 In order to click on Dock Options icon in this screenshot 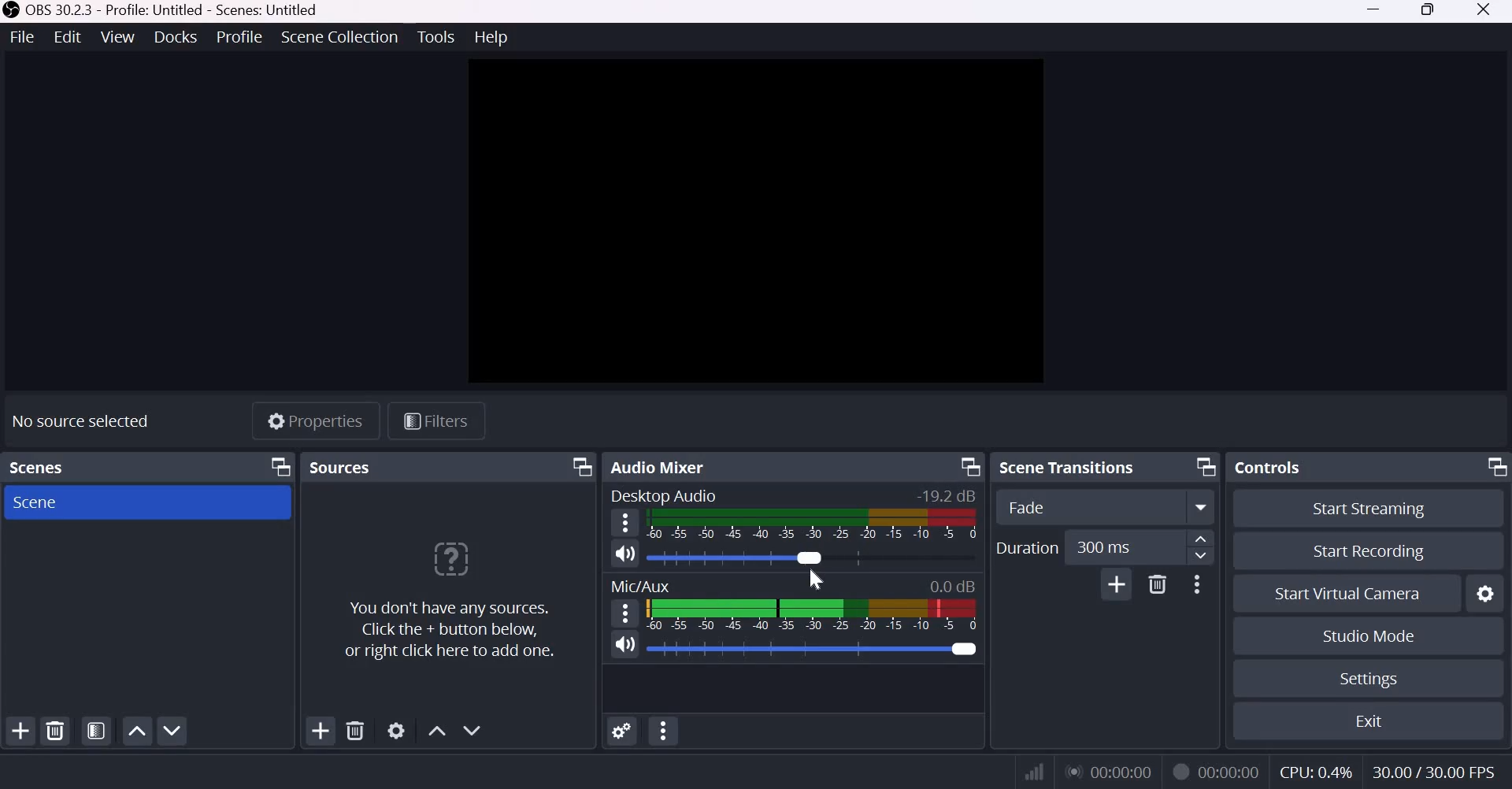, I will do `click(1492, 468)`.